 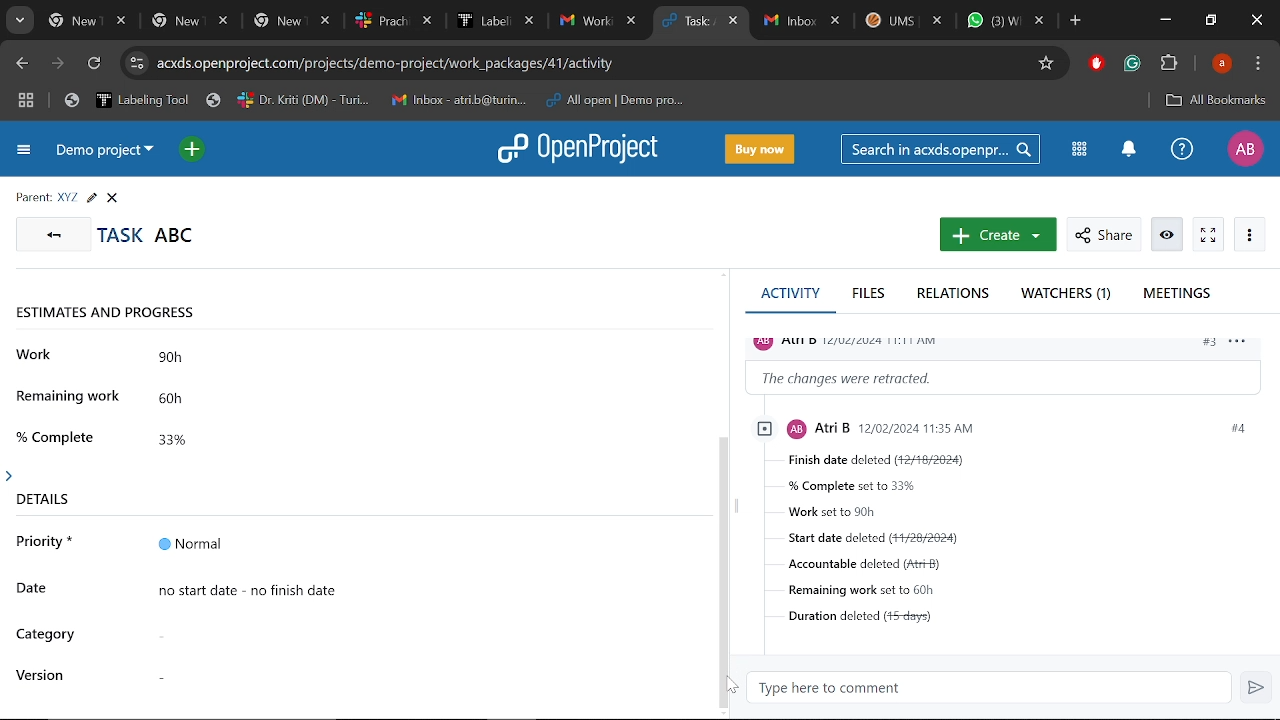 I want to click on Activate zen mode, so click(x=1208, y=235).